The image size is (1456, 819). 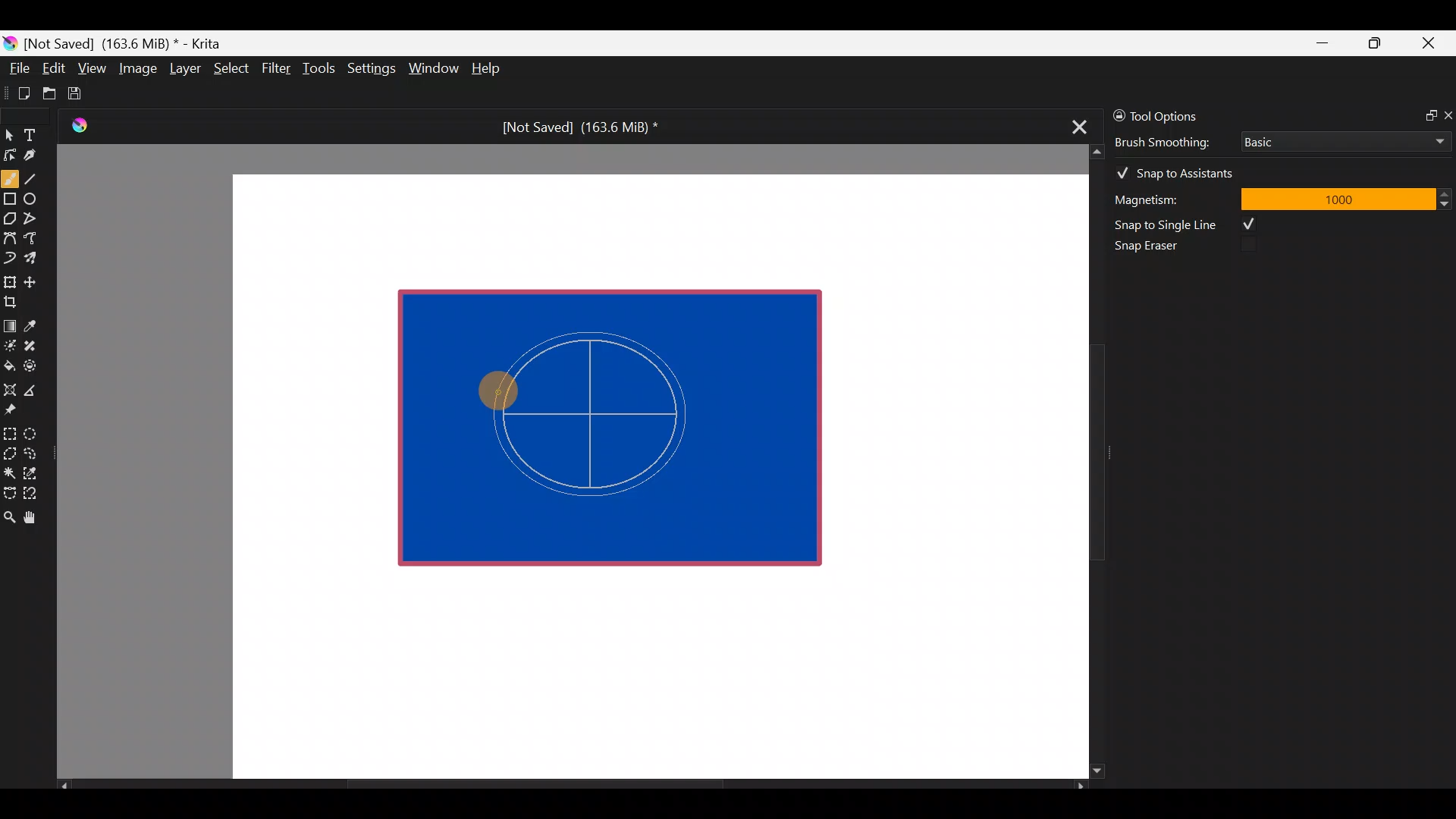 I want to click on Polygon tool, so click(x=9, y=219).